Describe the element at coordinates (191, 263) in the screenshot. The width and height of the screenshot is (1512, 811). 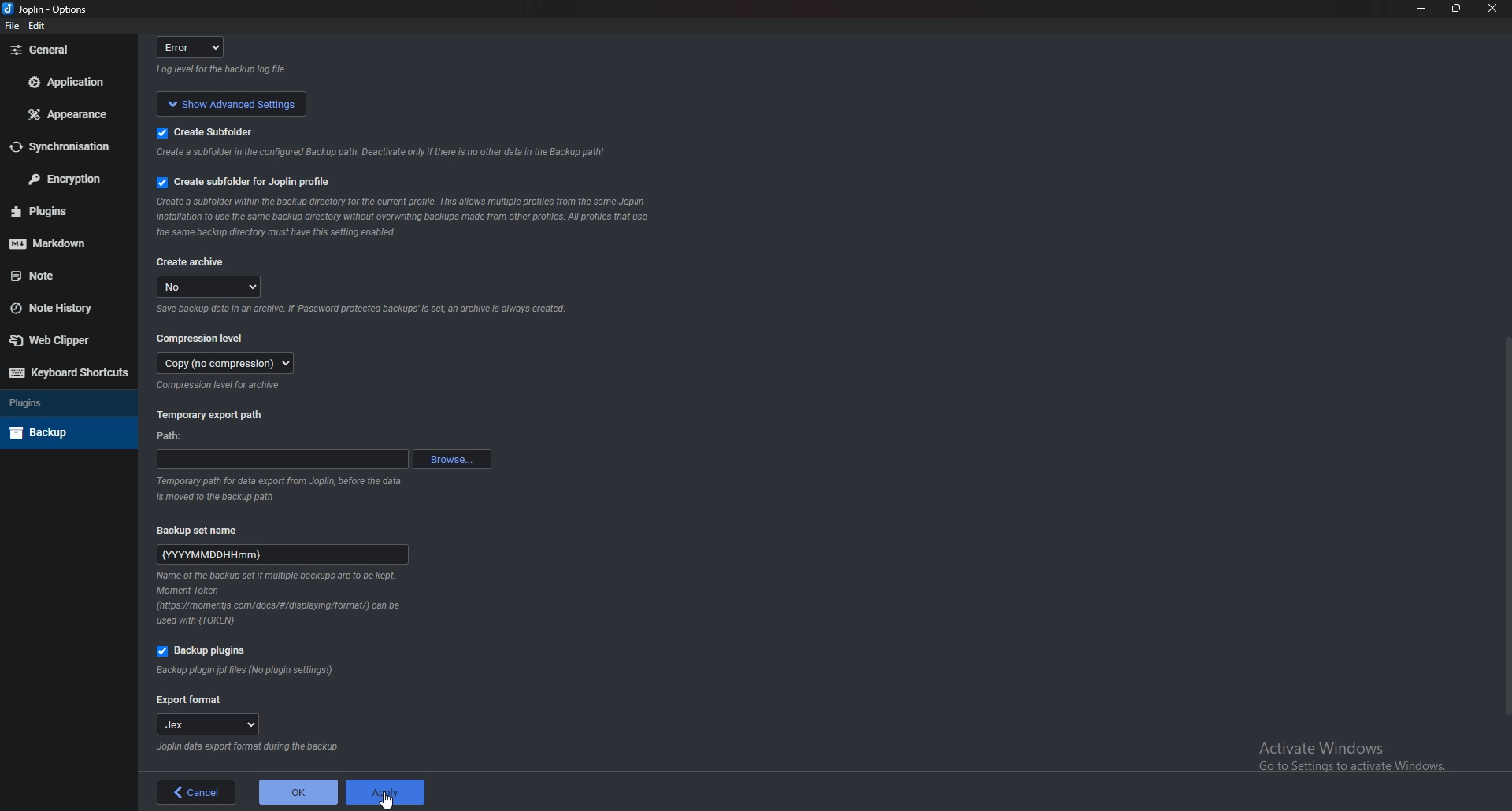
I see `Create archive` at that location.